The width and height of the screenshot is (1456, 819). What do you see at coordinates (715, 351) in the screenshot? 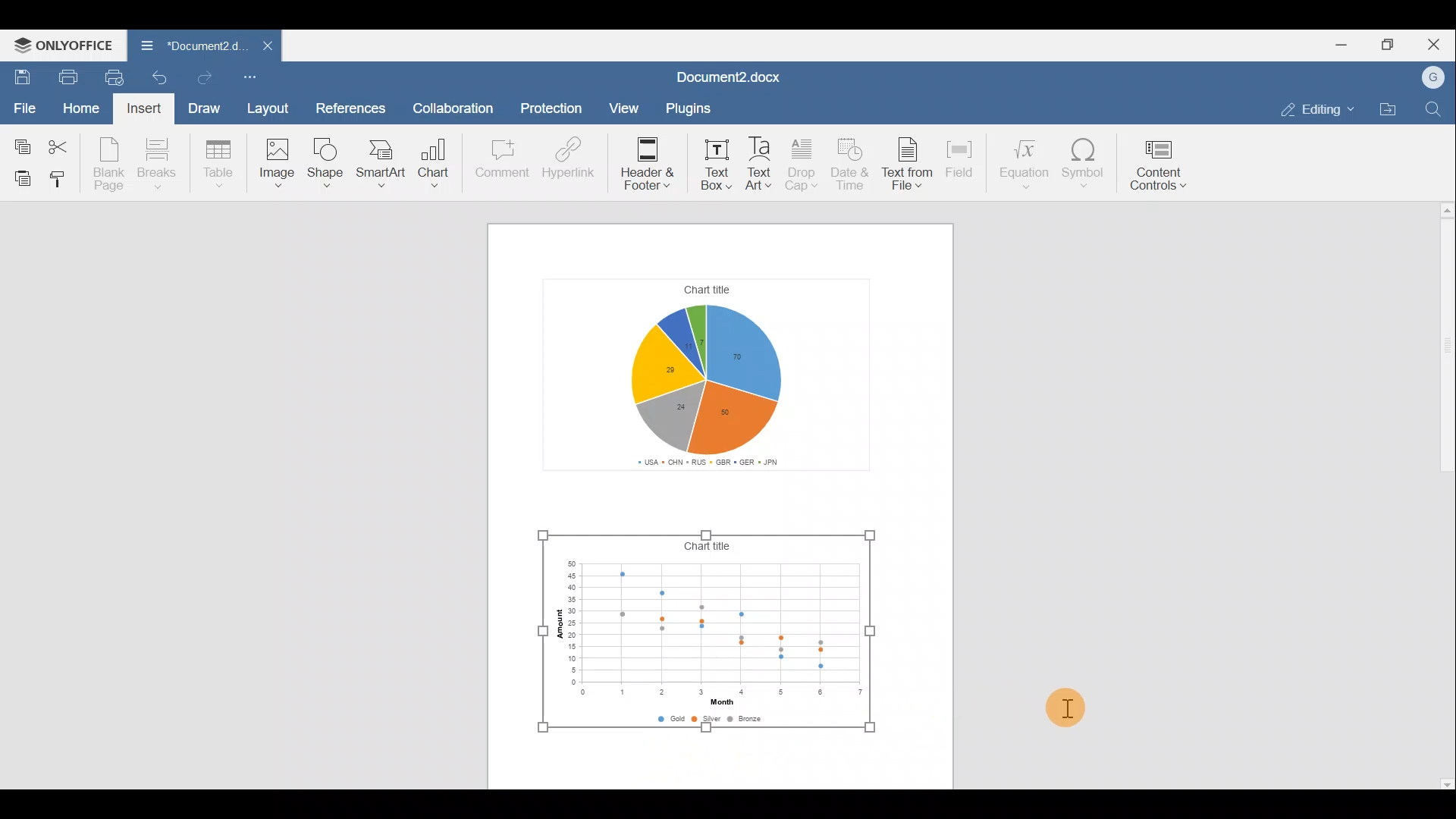
I see `Pie Chart` at bounding box center [715, 351].